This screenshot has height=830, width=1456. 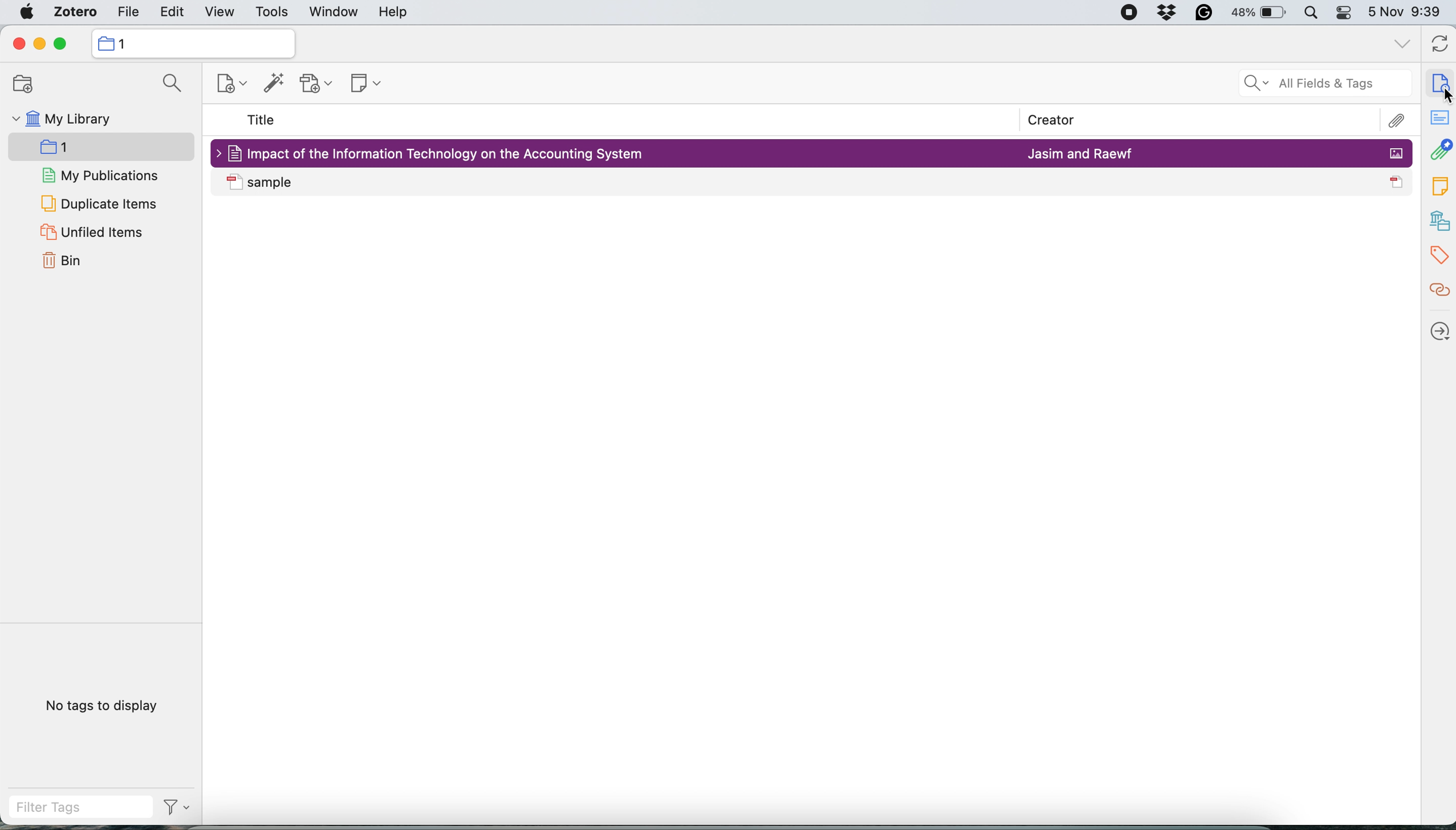 I want to click on window, so click(x=335, y=13).